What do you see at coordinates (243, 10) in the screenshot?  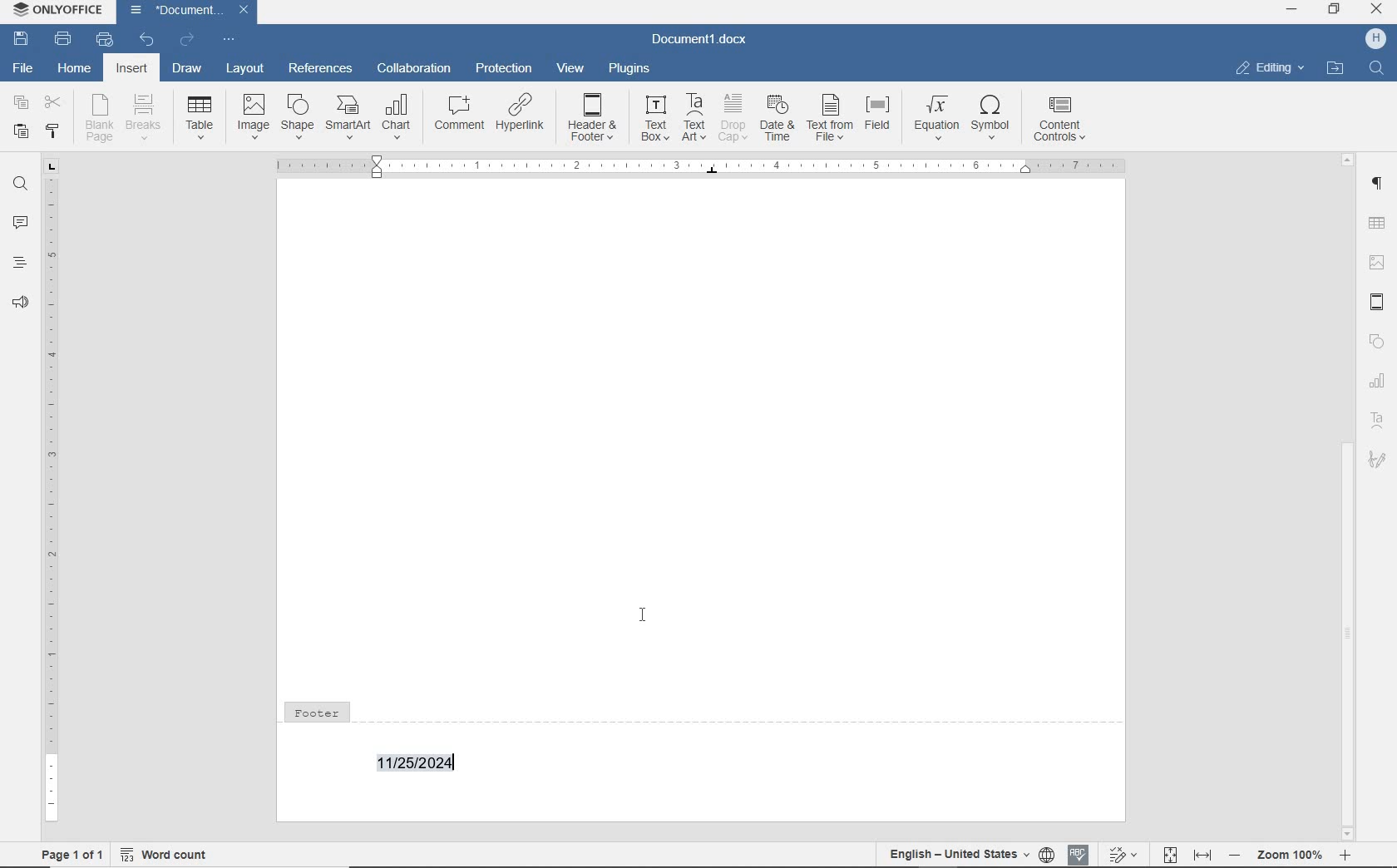 I see `Close` at bounding box center [243, 10].